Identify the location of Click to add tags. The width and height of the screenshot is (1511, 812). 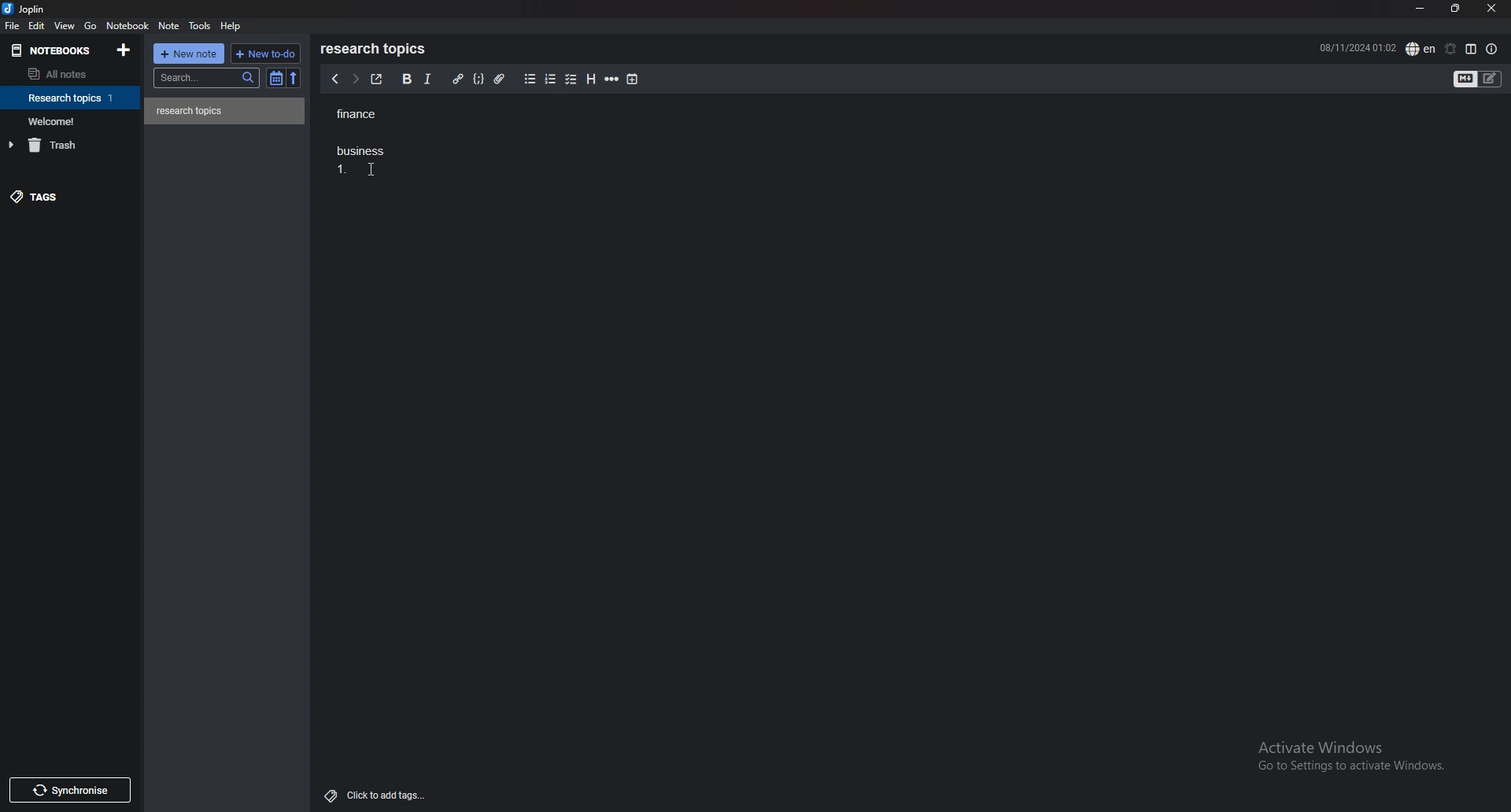
(371, 795).